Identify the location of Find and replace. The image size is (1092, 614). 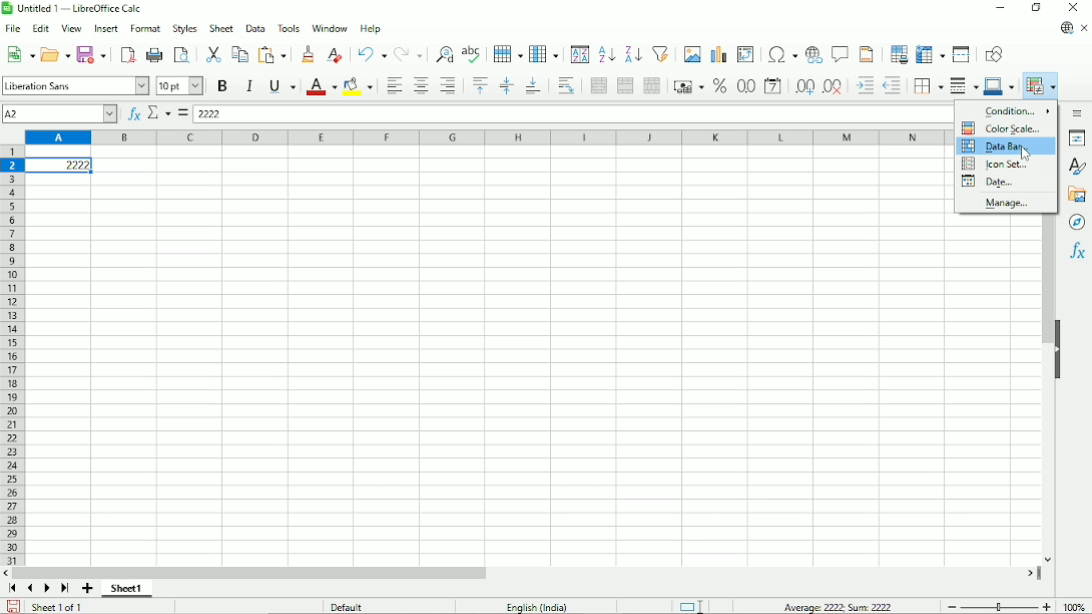
(441, 55).